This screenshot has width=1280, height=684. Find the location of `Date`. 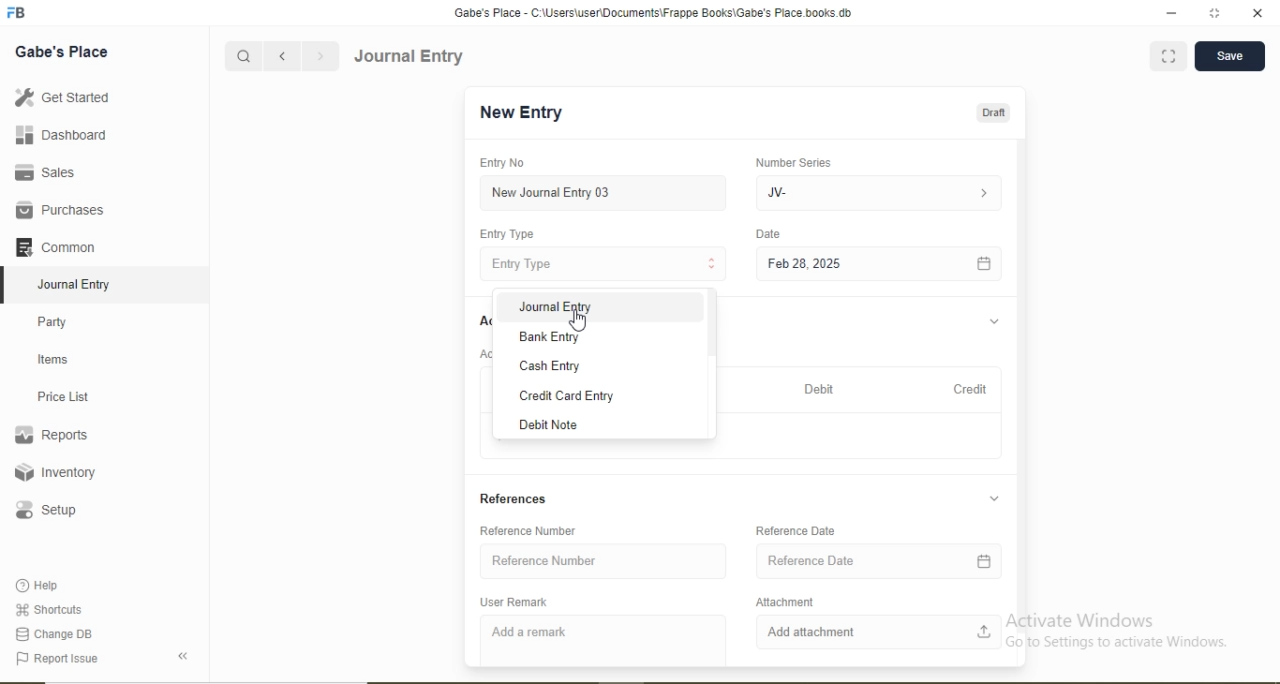

Date is located at coordinates (767, 233).